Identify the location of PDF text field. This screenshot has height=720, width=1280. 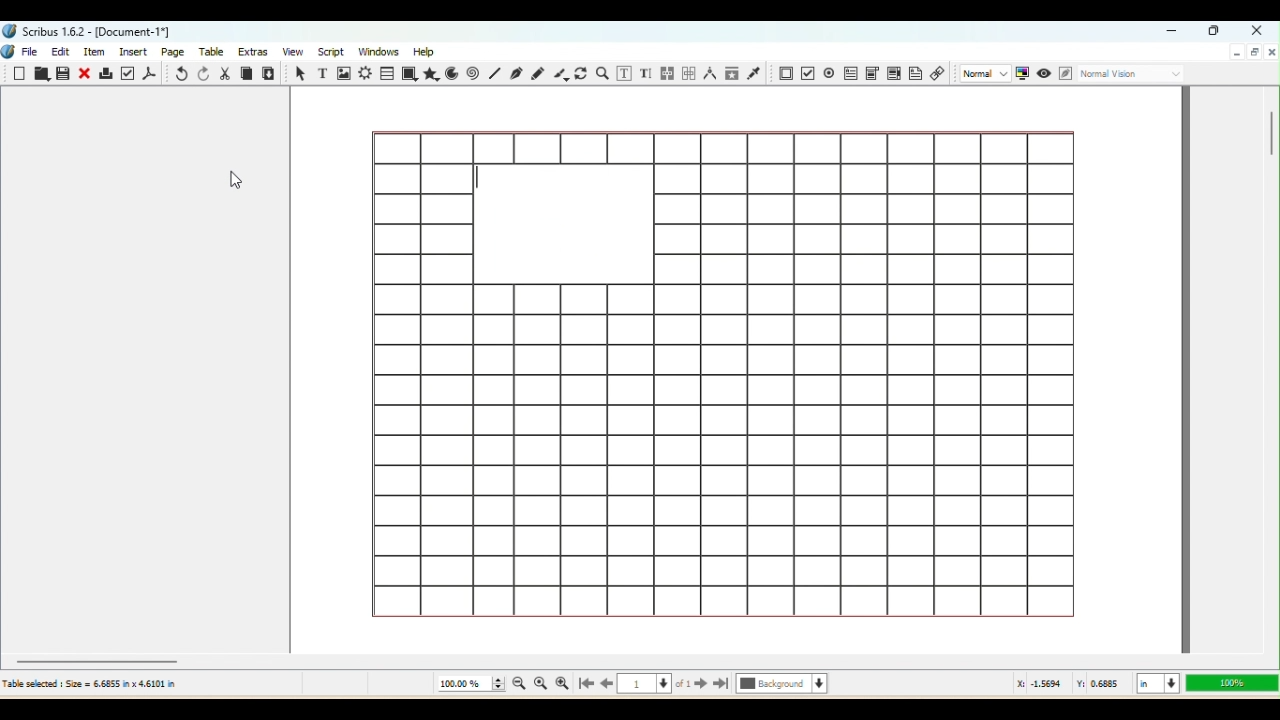
(849, 72).